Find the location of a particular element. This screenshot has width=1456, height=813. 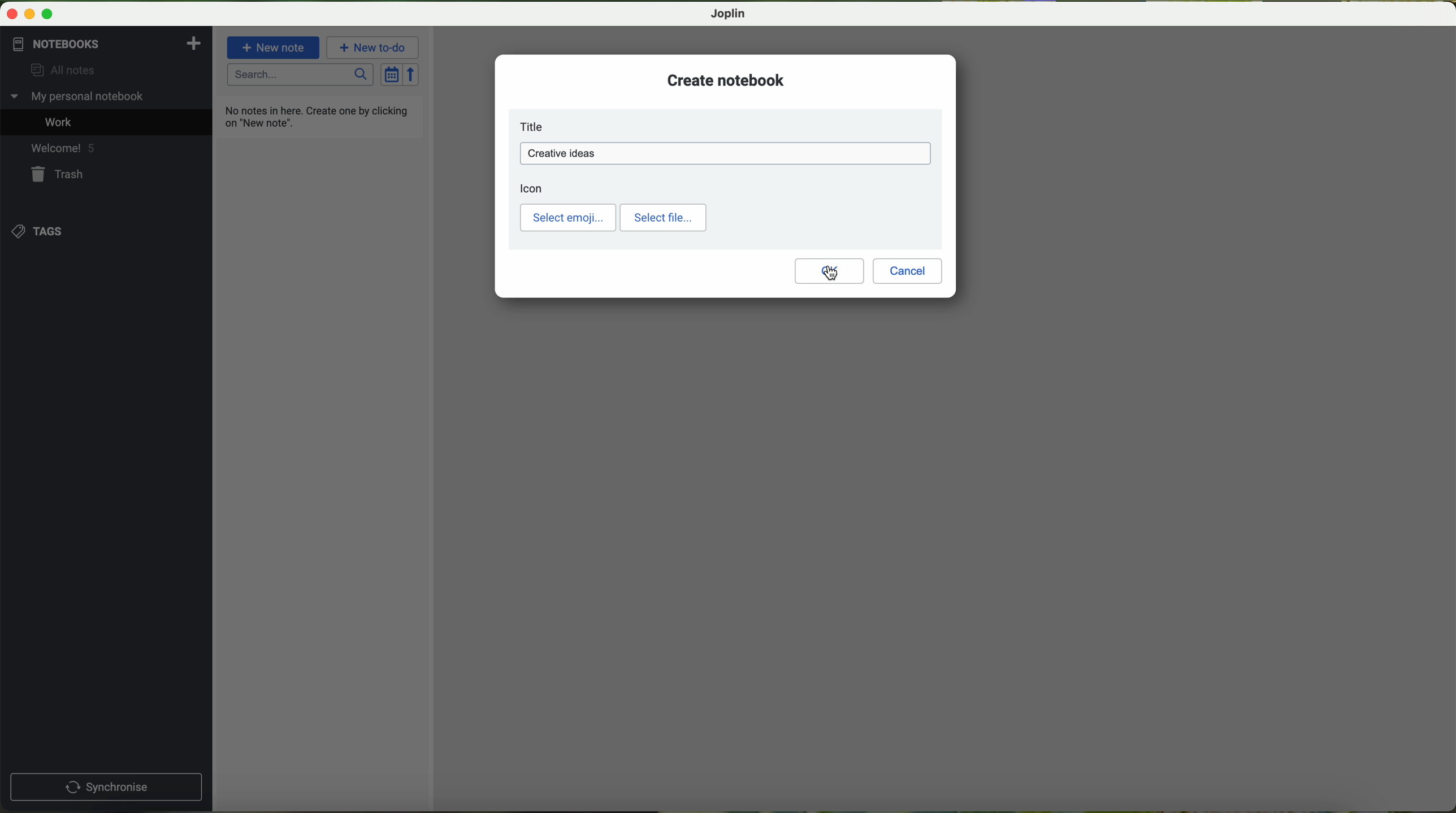

minimize is located at coordinates (31, 15).